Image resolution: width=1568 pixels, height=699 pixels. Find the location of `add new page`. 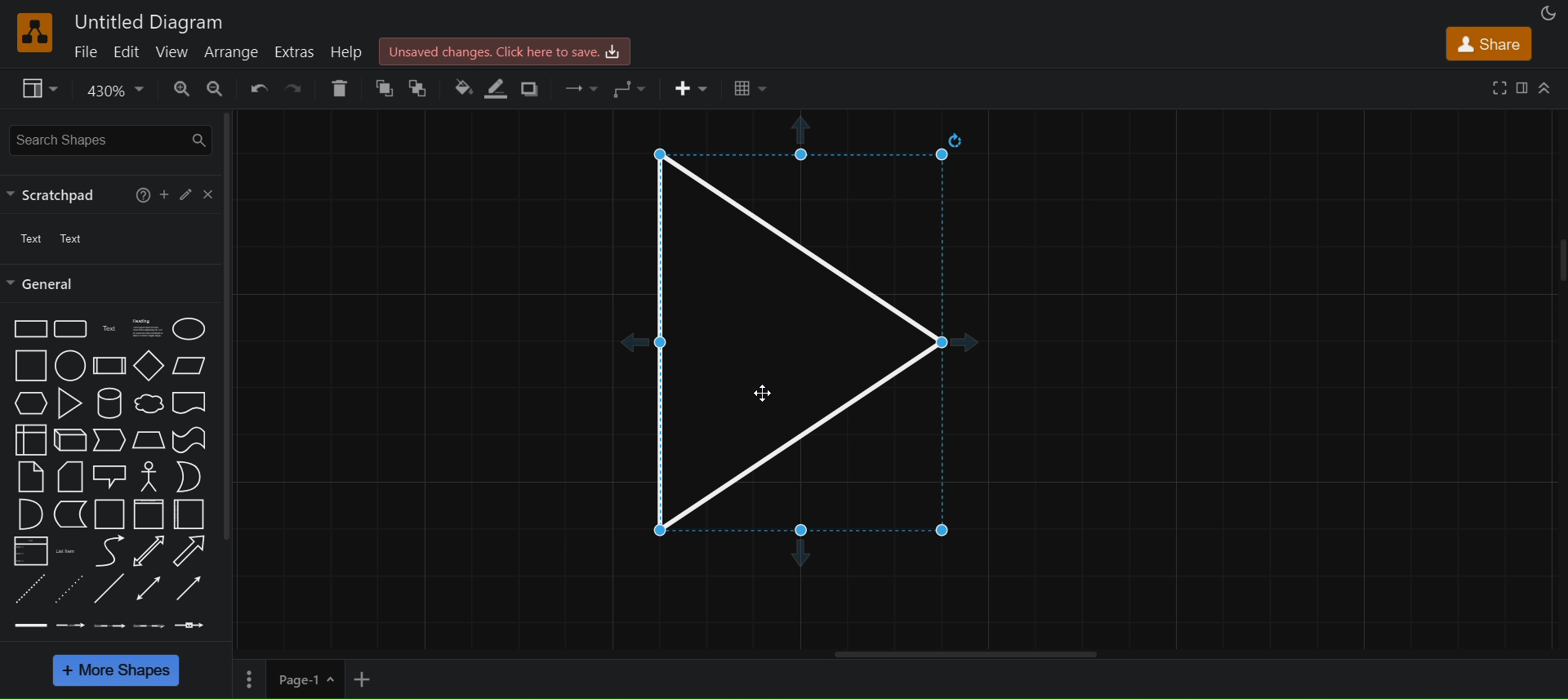

add new page is located at coordinates (375, 678).